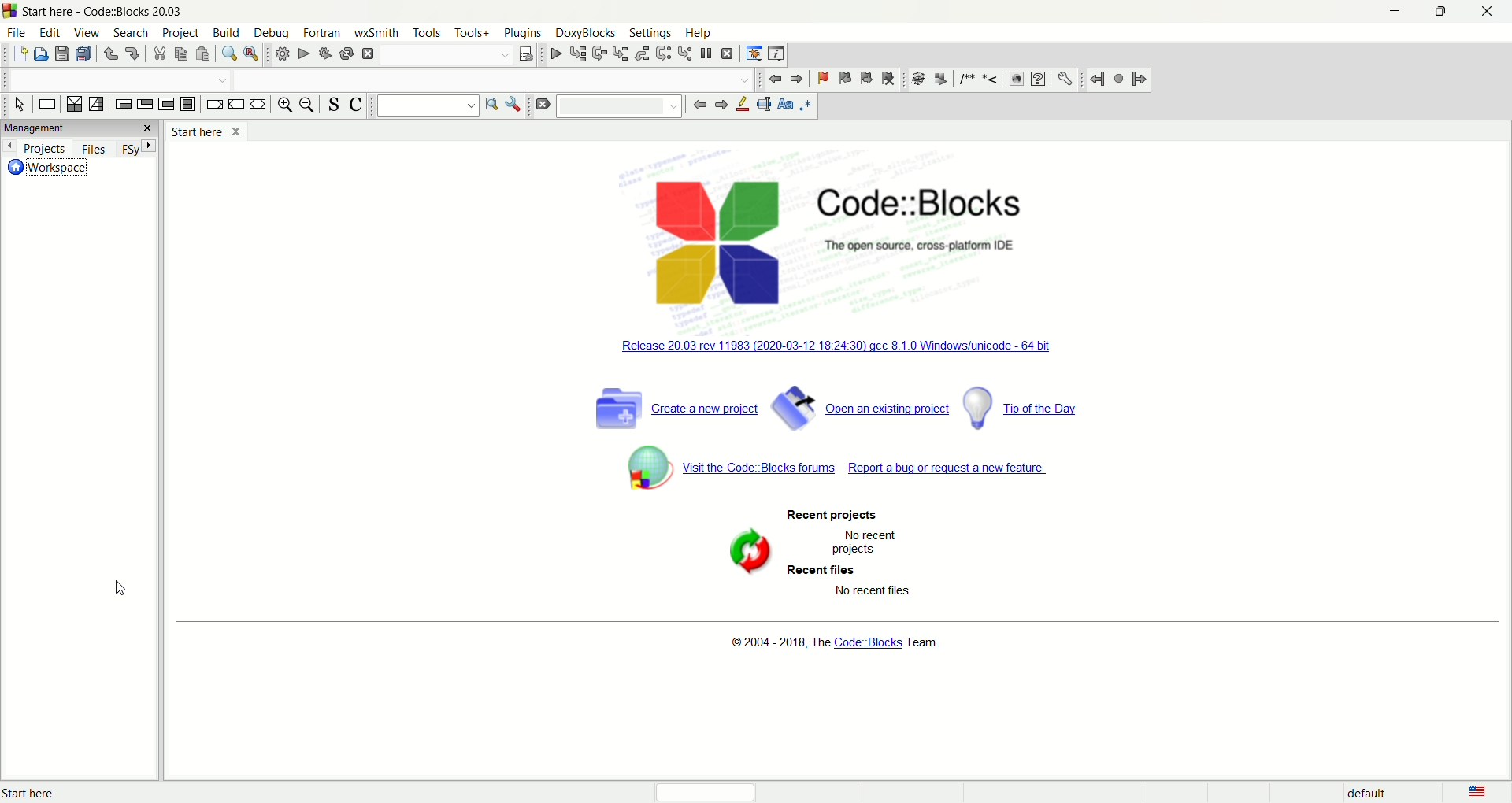  What do you see at coordinates (75, 105) in the screenshot?
I see `decision` at bounding box center [75, 105].